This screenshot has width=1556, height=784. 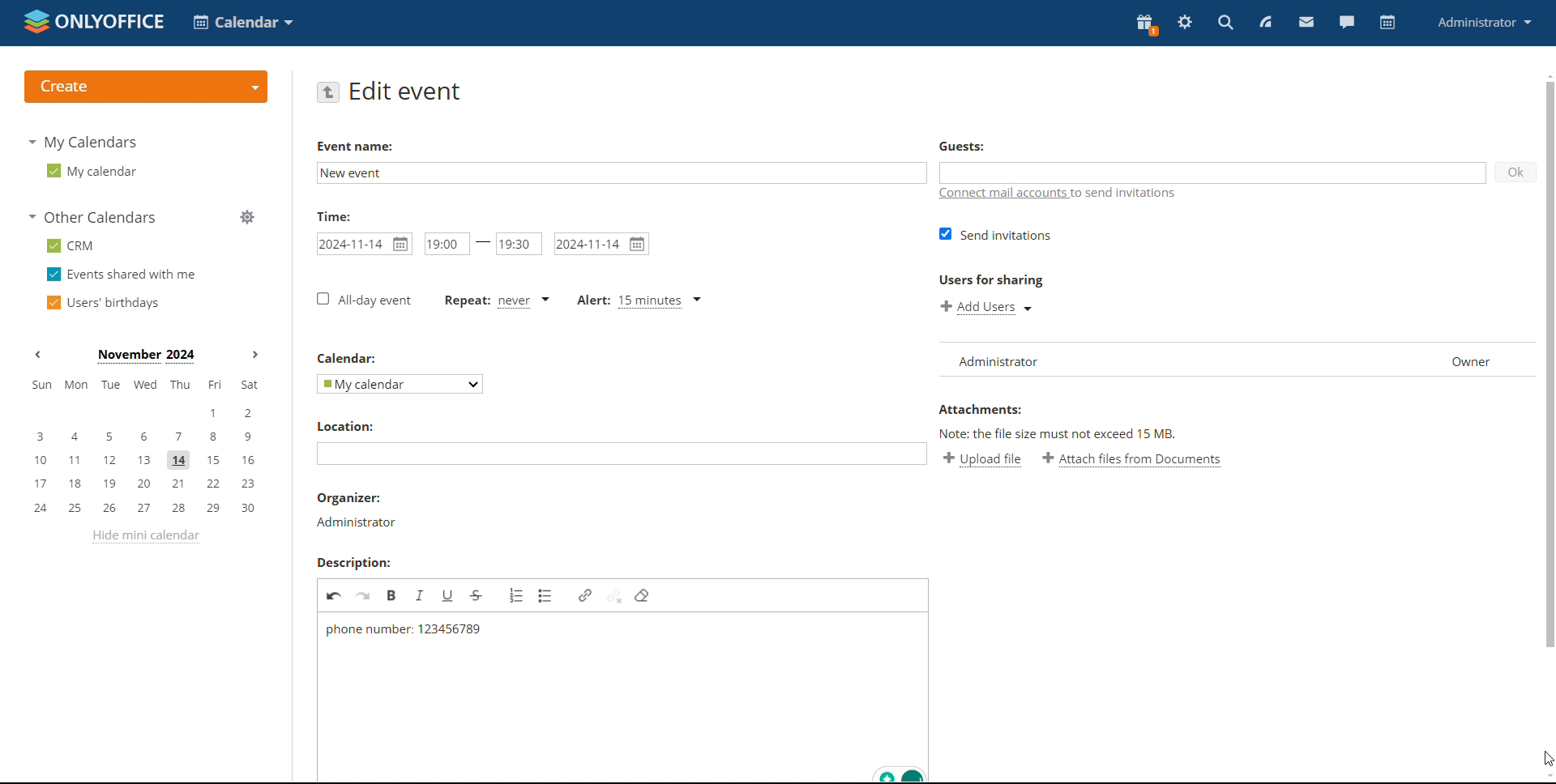 What do you see at coordinates (328, 92) in the screenshot?
I see `go back` at bounding box center [328, 92].